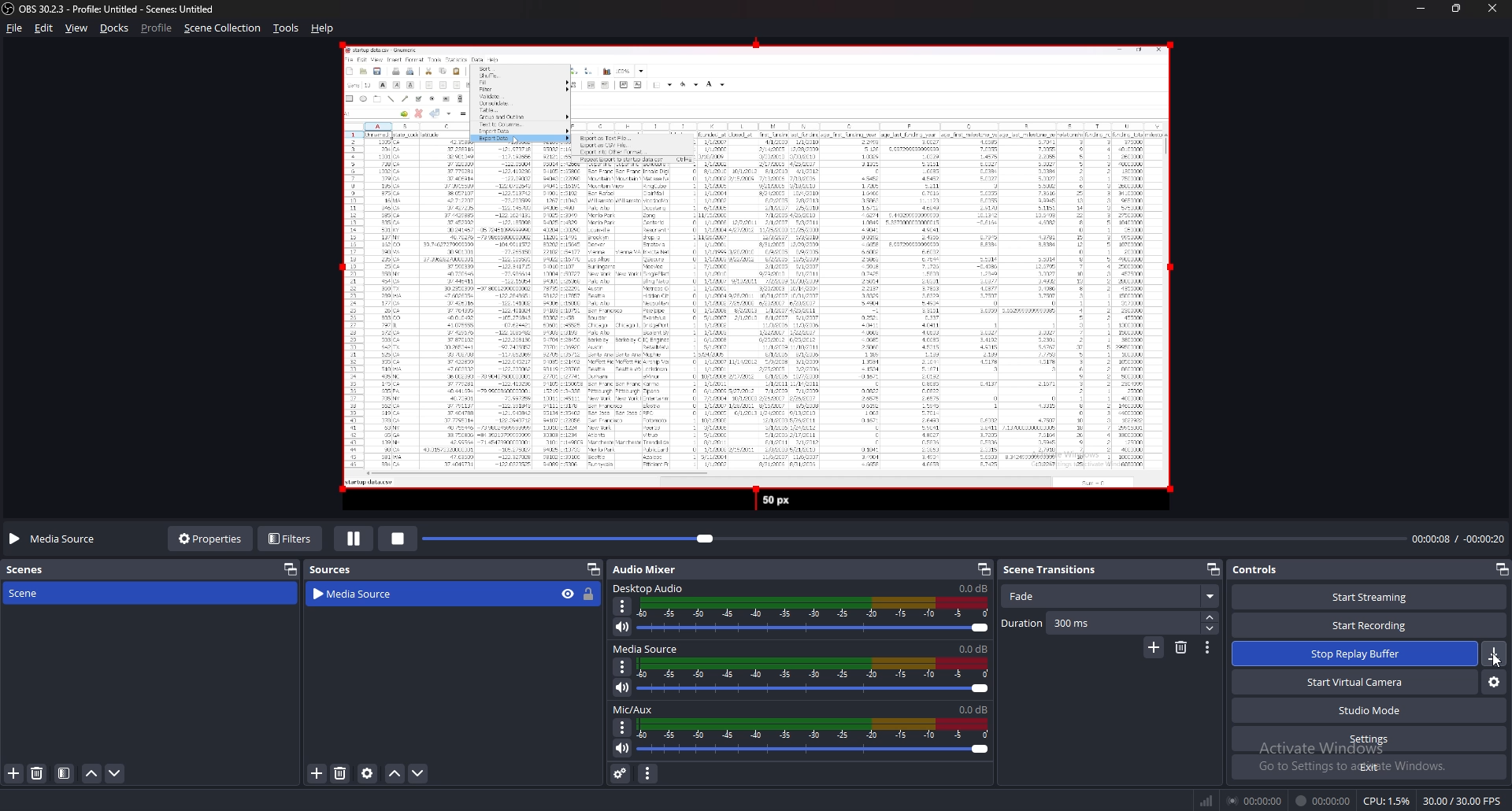  Describe the element at coordinates (1260, 569) in the screenshot. I see `controls` at that location.